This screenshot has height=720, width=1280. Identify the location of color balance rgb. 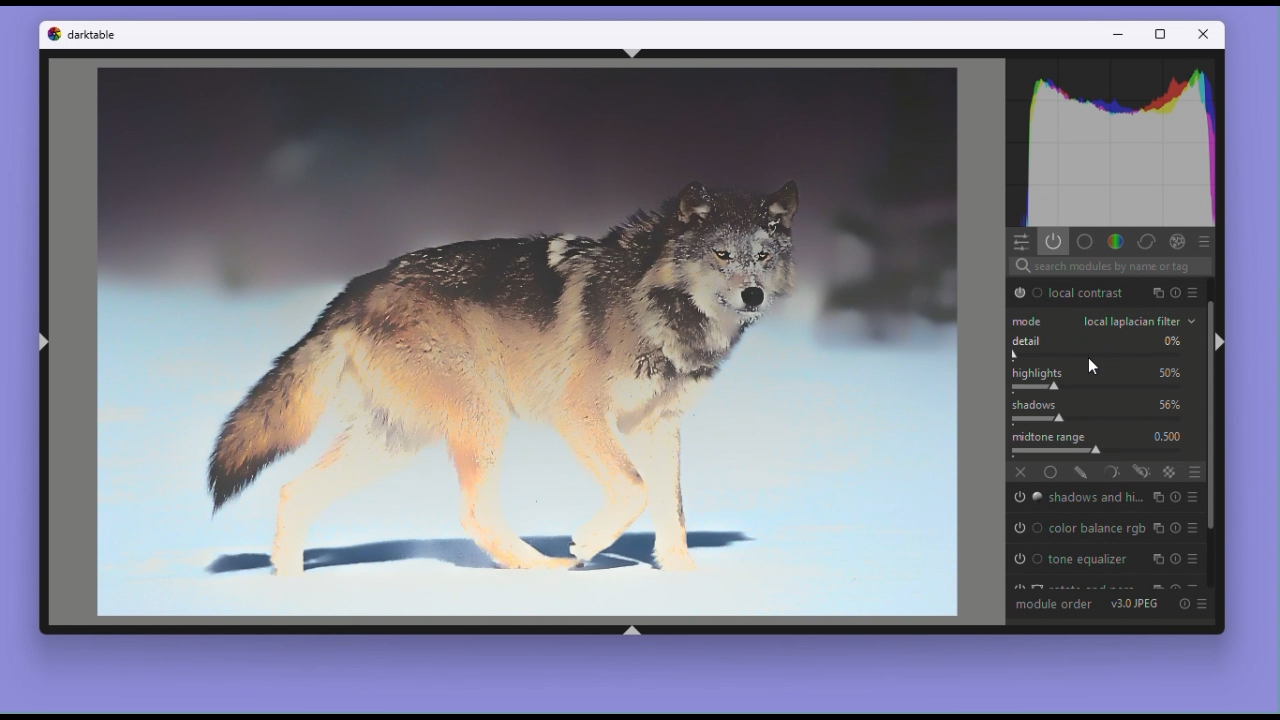
(1097, 527).